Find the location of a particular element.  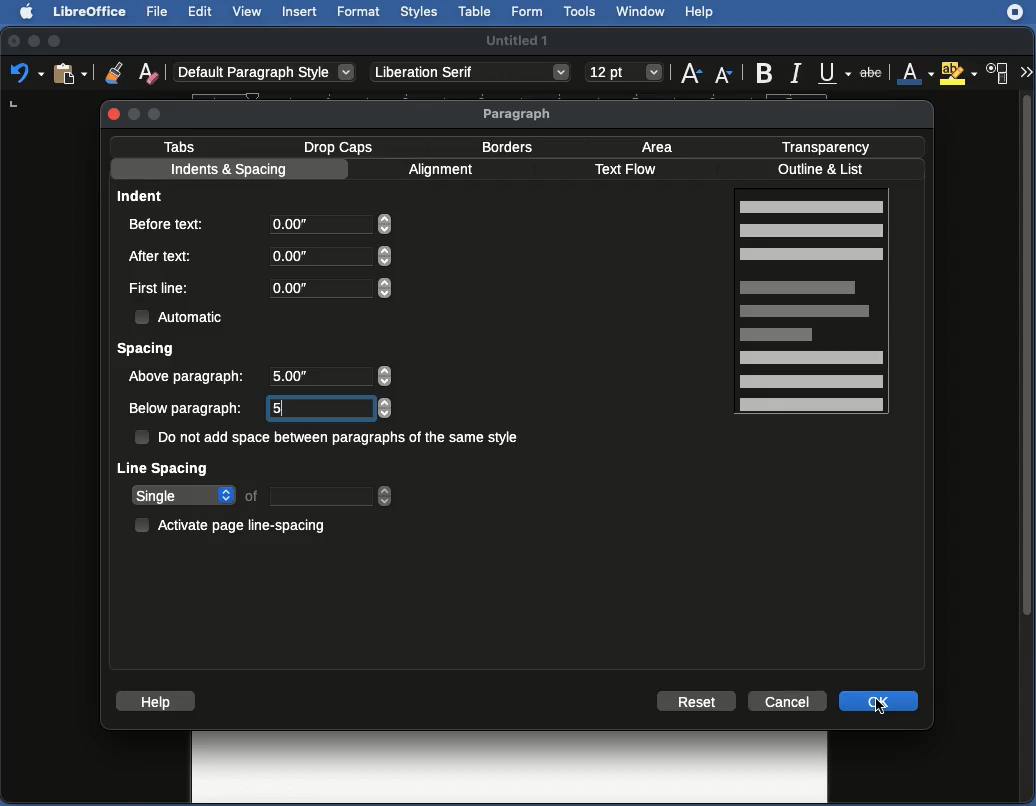

5 is located at coordinates (332, 406).